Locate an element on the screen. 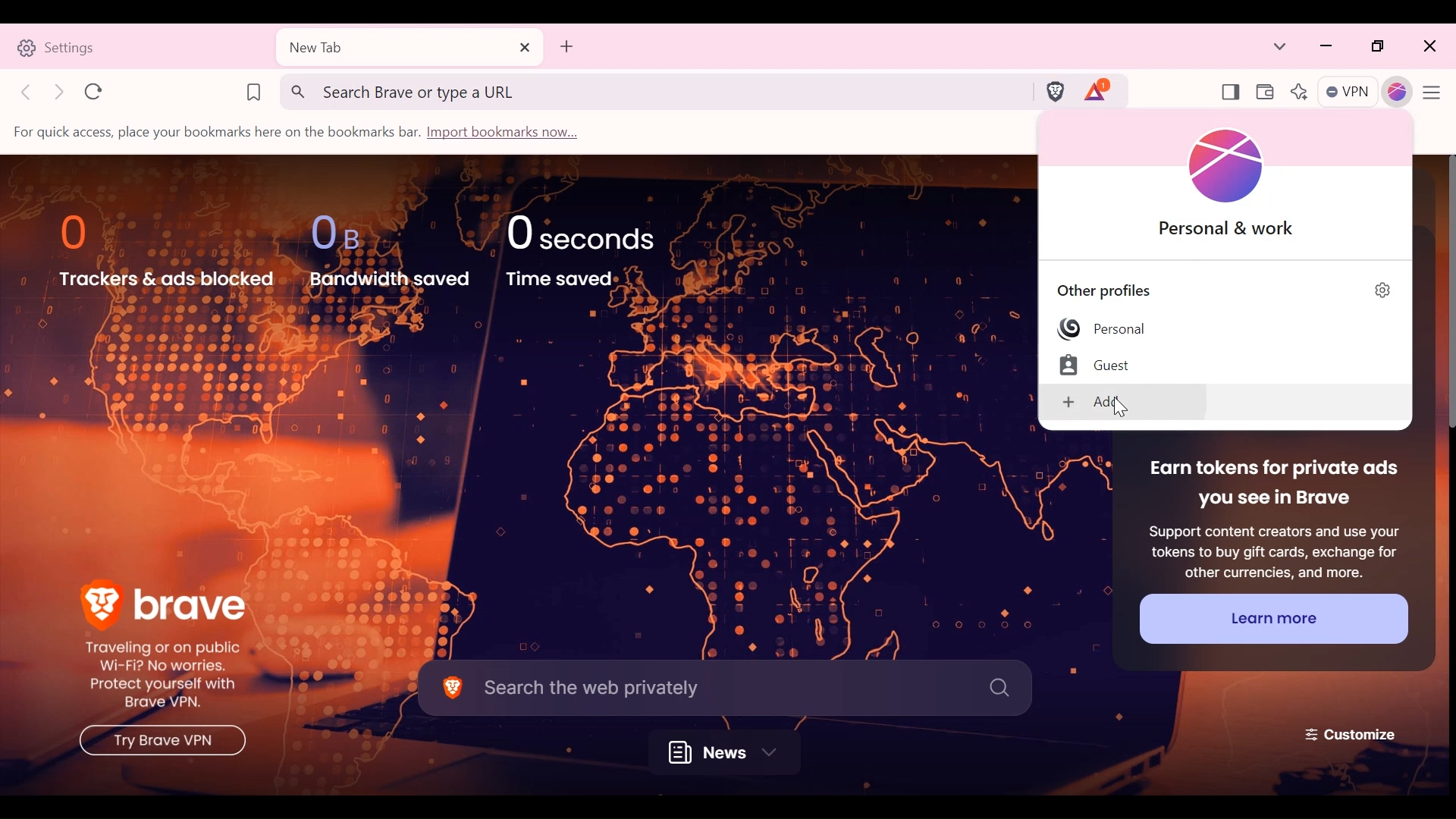  Add is located at coordinates (1126, 403).